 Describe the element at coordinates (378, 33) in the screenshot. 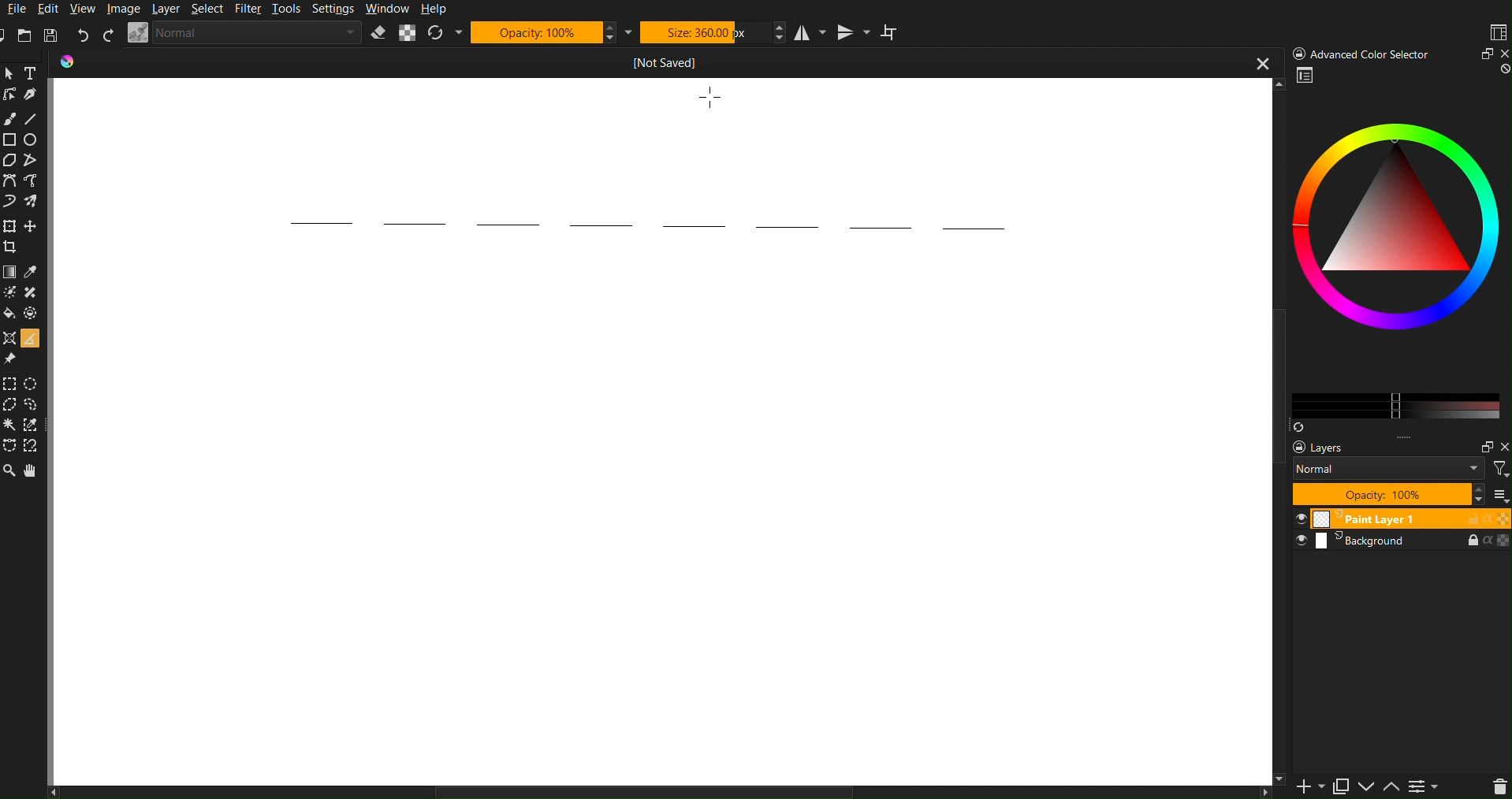

I see `Eraser` at that location.